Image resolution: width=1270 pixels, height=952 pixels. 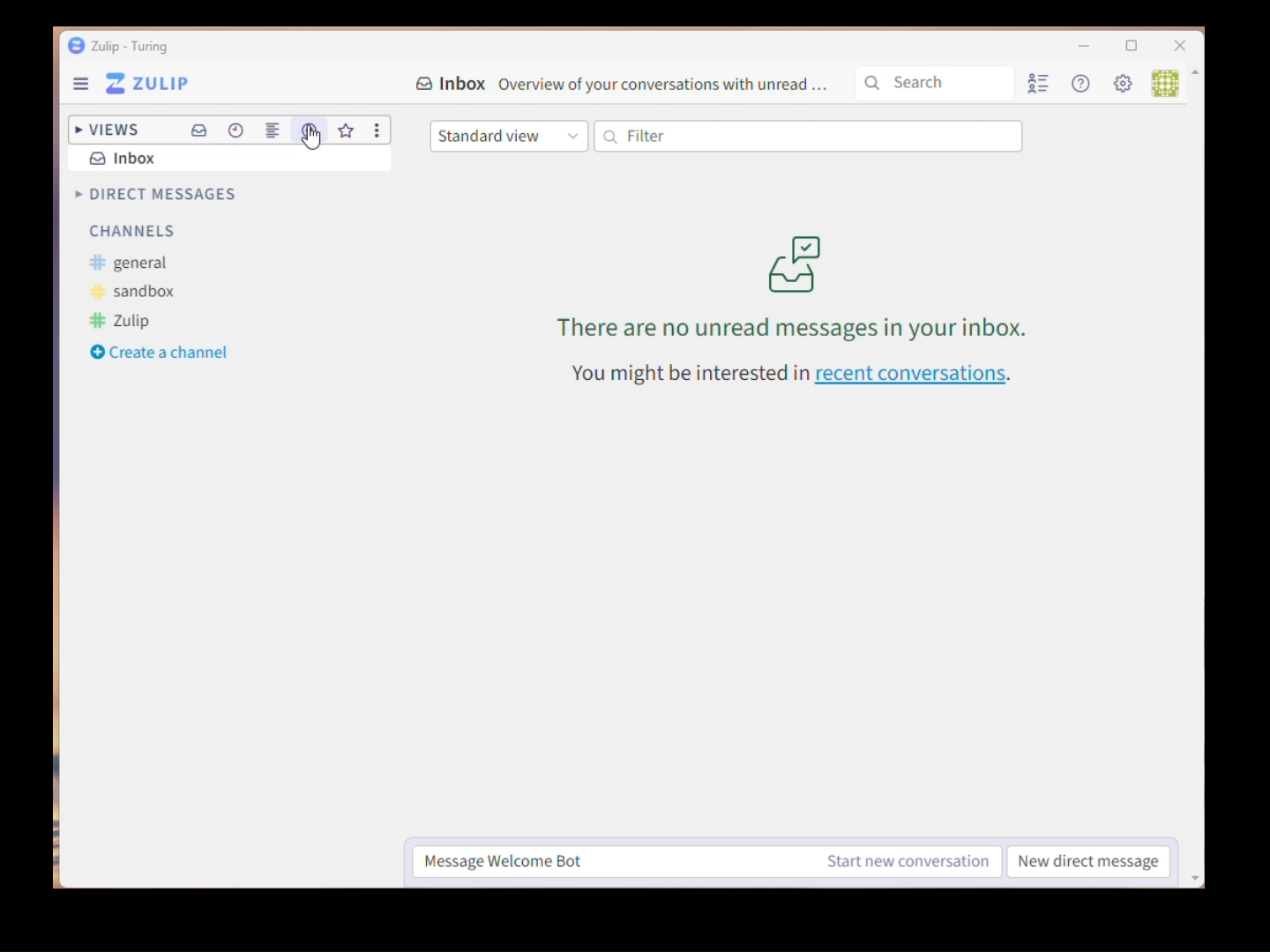 What do you see at coordinates (275, 131) in the screenshot?
I see `Merge` at bounding box center [275, 131].